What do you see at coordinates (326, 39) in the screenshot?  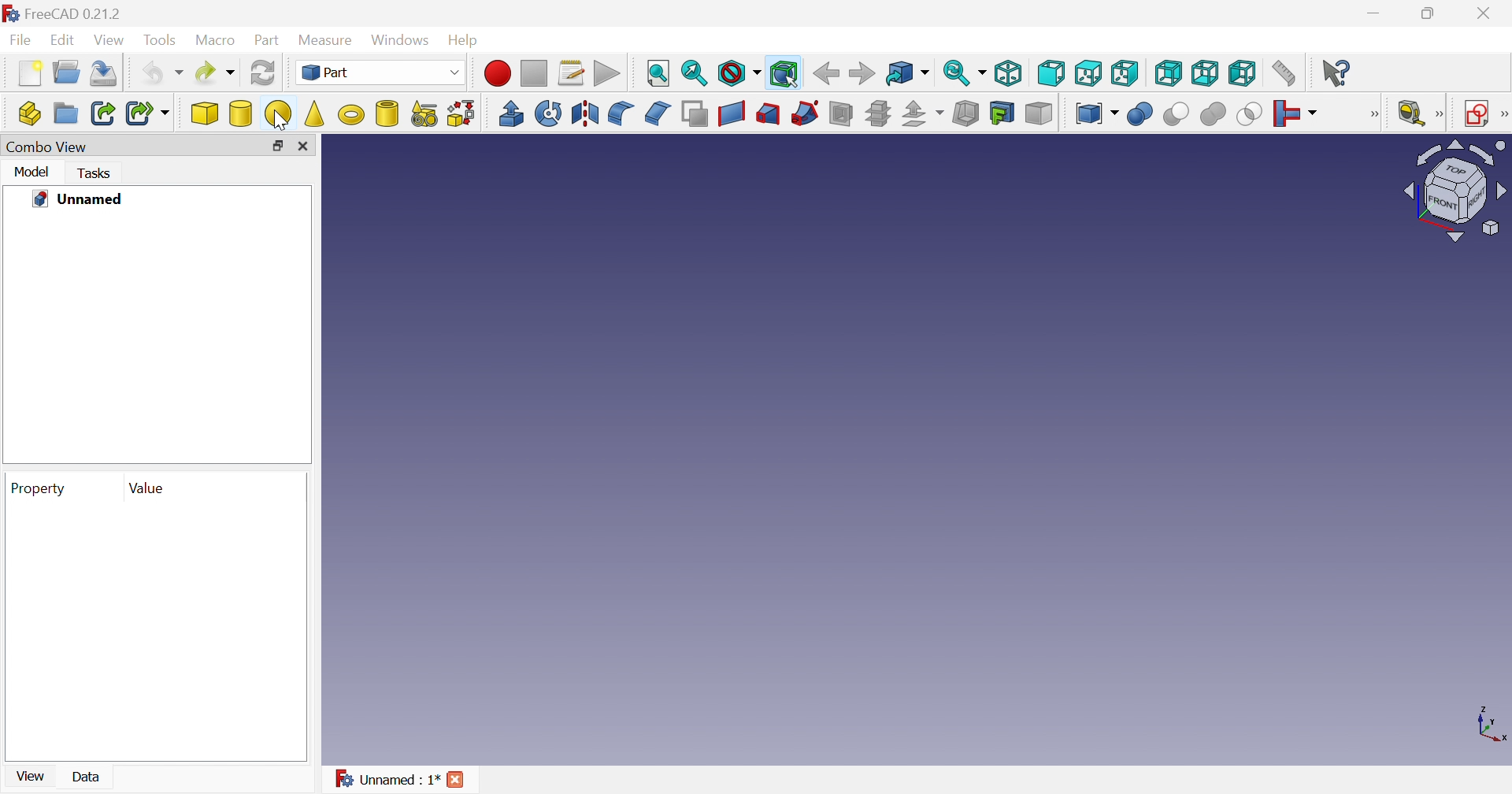 I see `Measure` at bounding box center [326, 39].